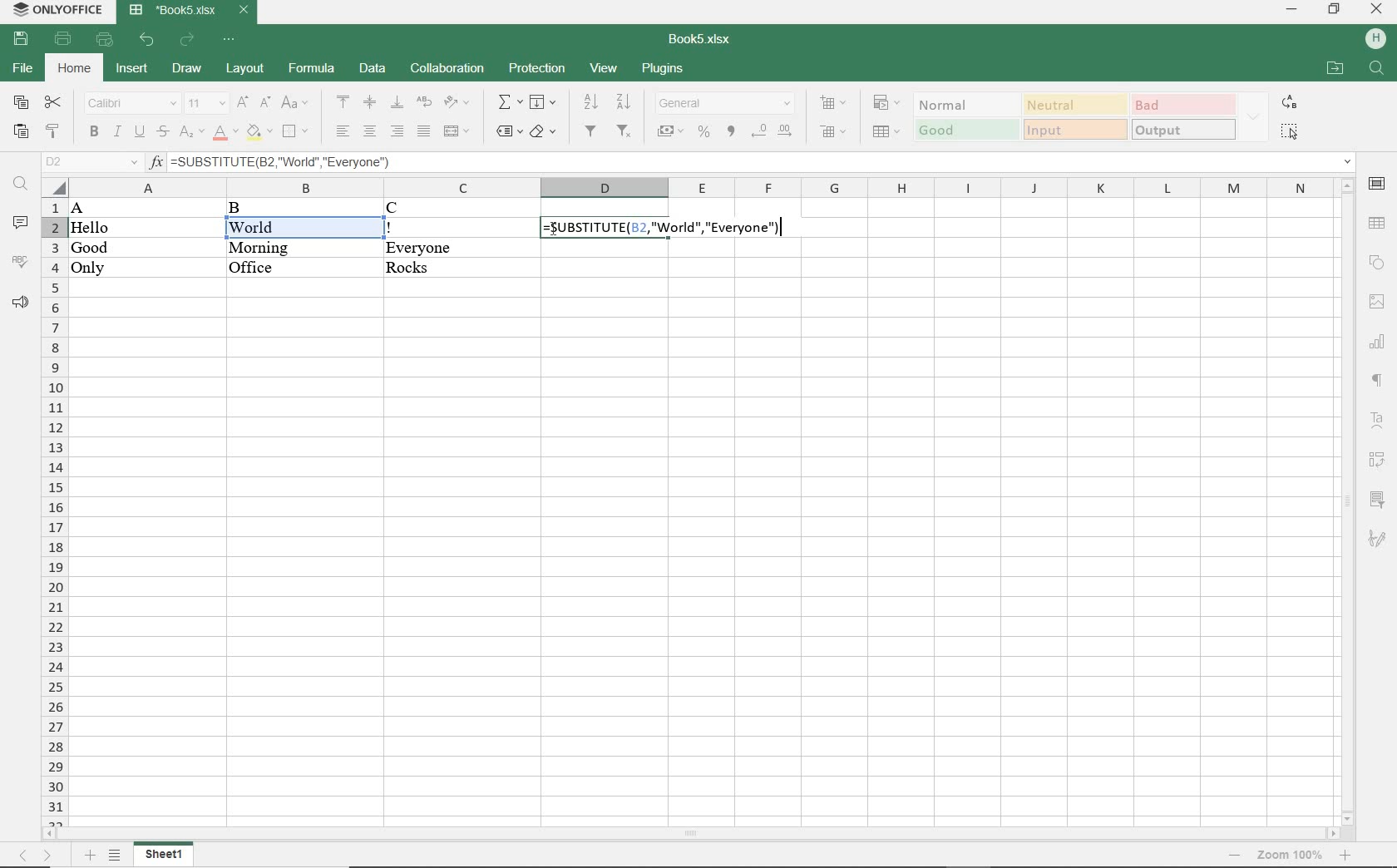 The width and height of the screenshot is (1397, 868). I want to click on find, so click(20, 185).